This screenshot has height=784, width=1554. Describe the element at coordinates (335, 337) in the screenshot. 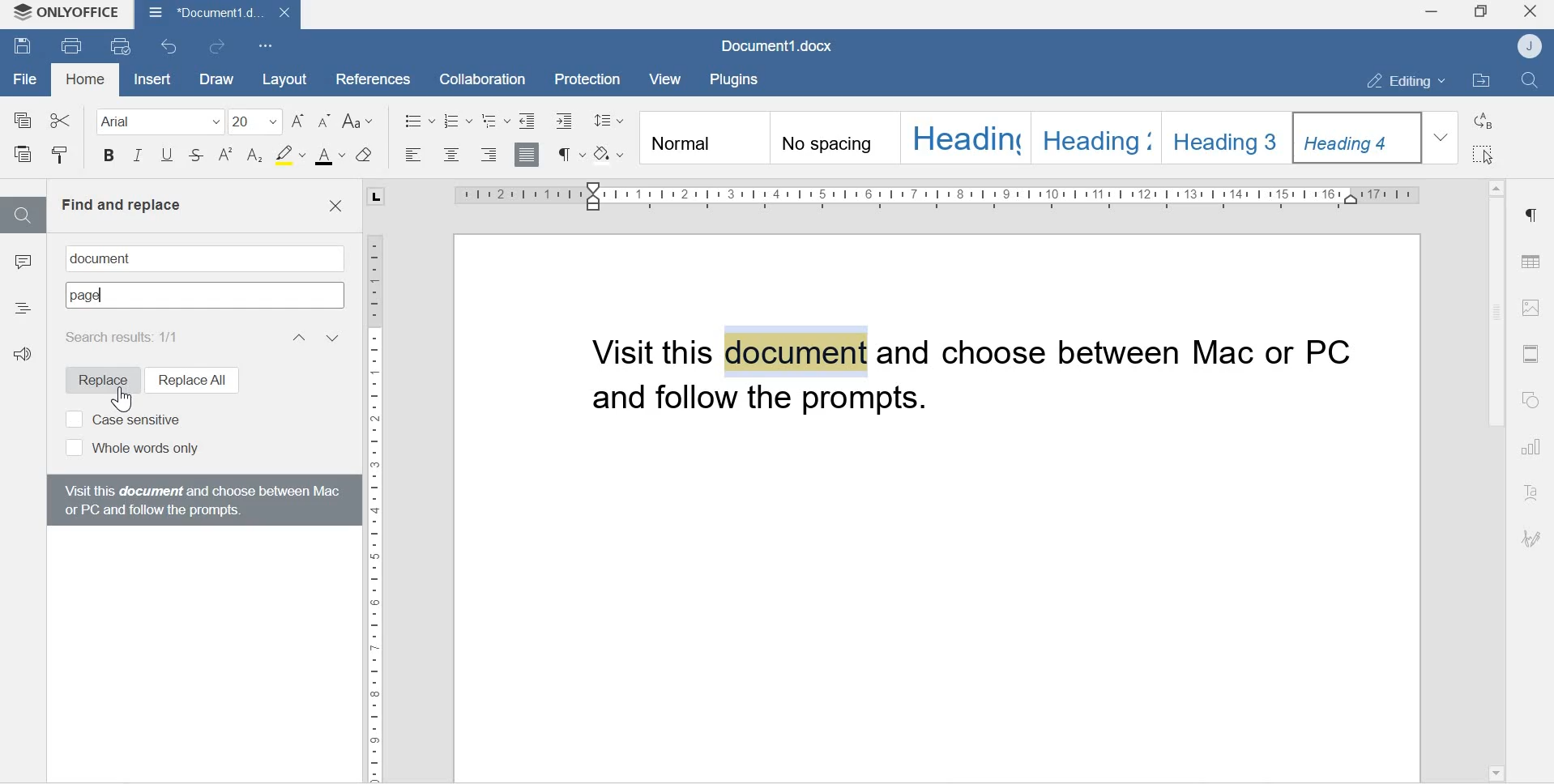

I see `Next result` at that location.